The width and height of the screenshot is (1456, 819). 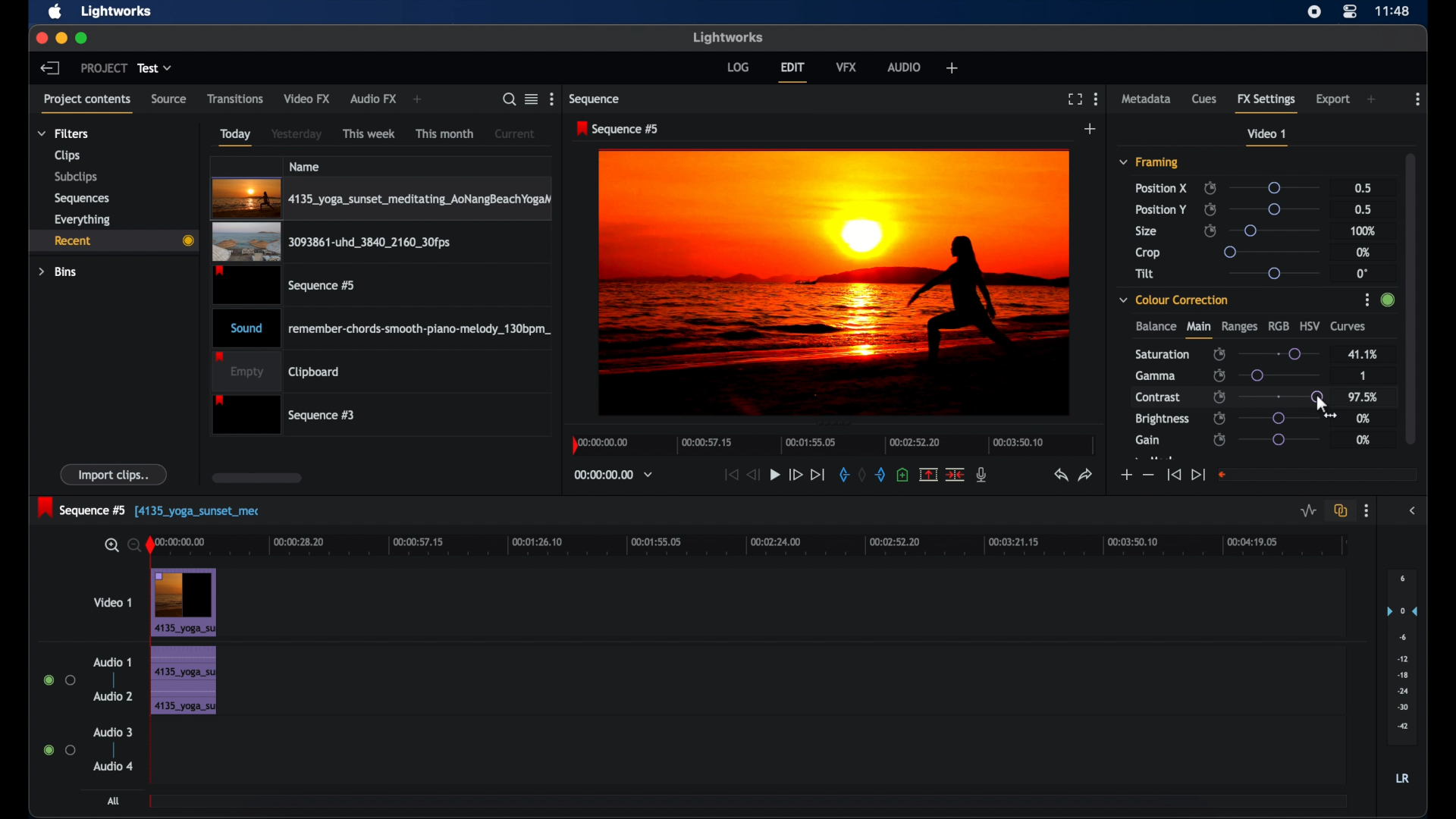 I want to click on brightness, so click(x=1163, y=419).